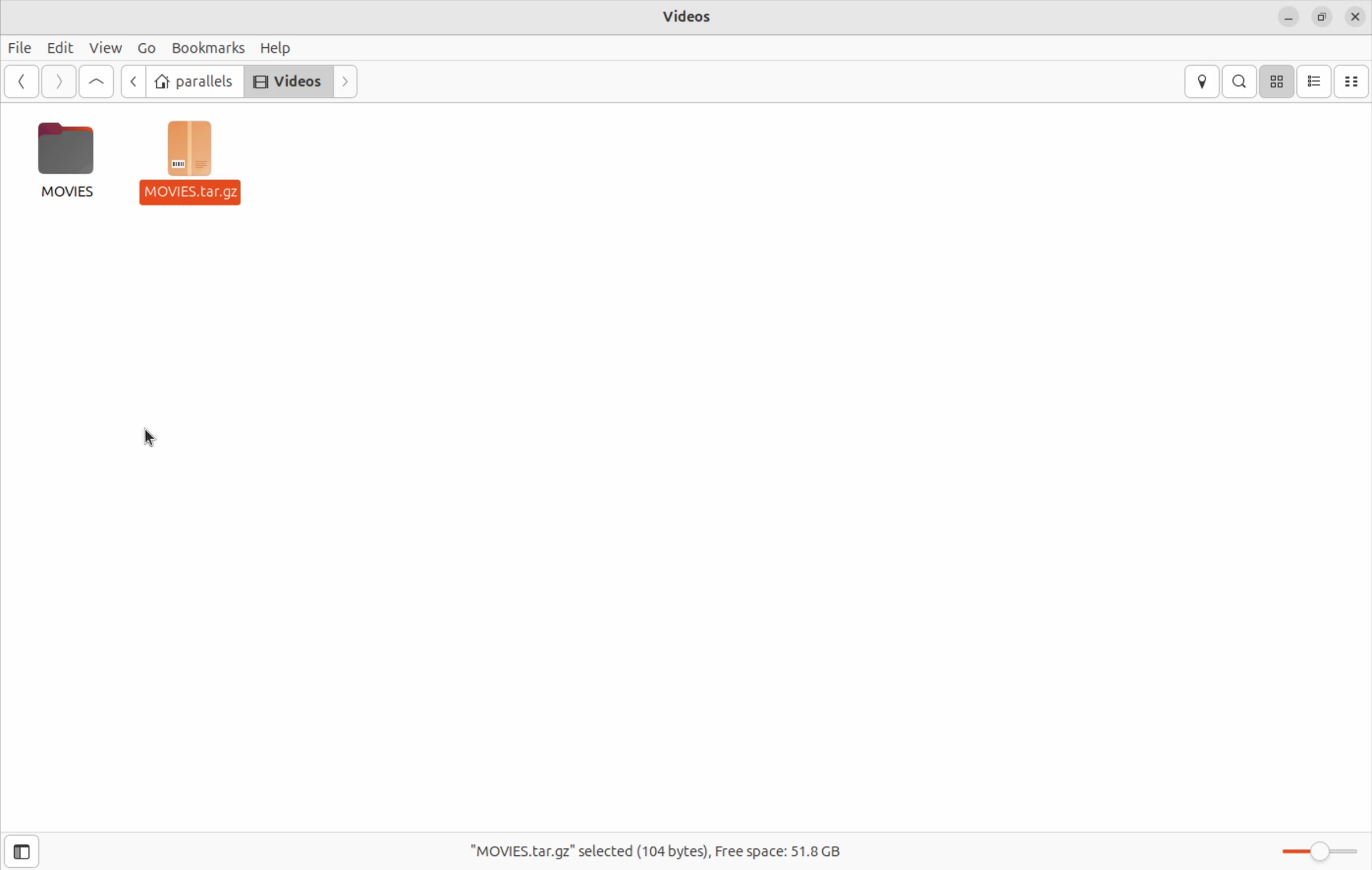 The image size is (1372, 870). What do you see at coordinates (345, 81) in the screenshot?
I see `next ` at bounding box center [345, 81].